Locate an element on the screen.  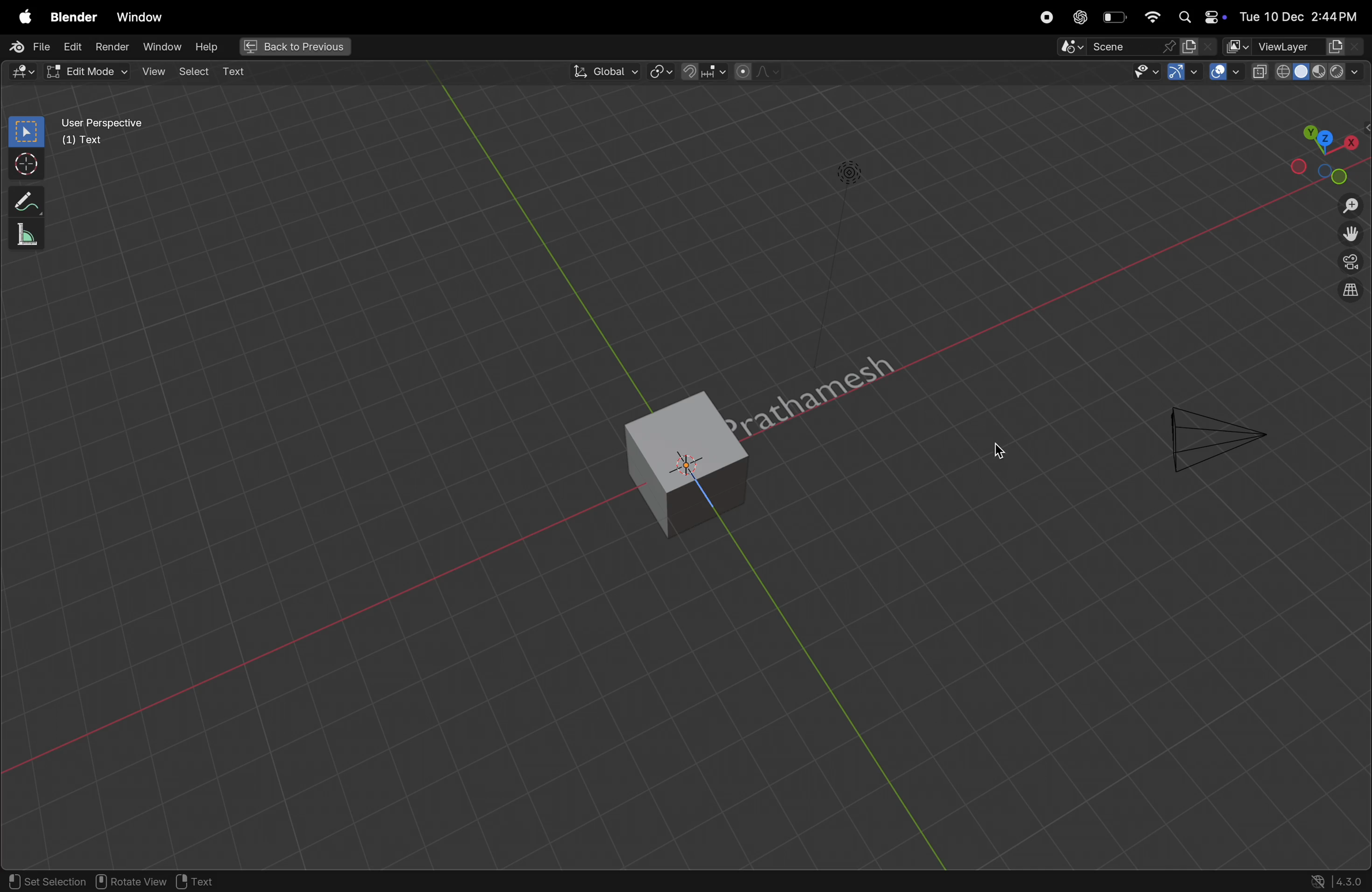
apple menu is located at coordinates (22, 17).